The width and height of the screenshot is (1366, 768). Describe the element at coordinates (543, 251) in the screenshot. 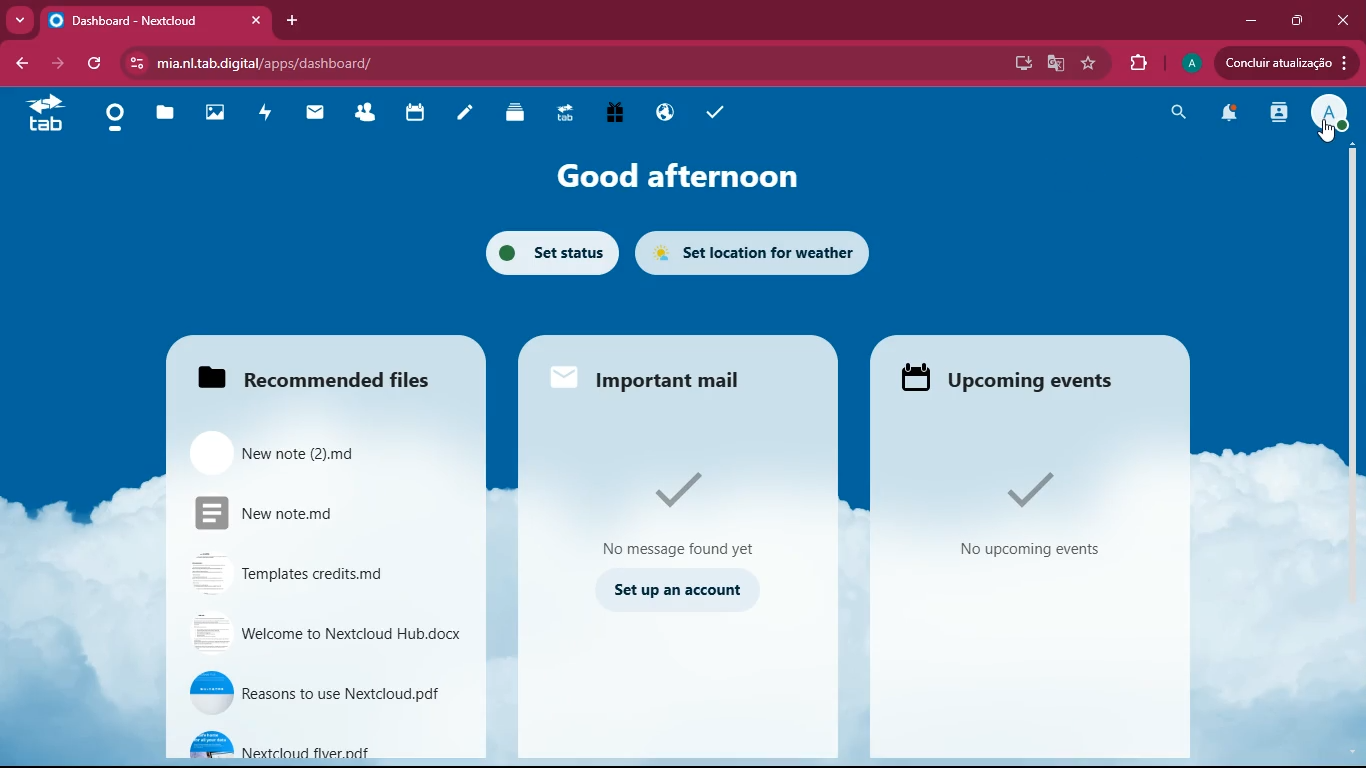

I see `set status` at that location.